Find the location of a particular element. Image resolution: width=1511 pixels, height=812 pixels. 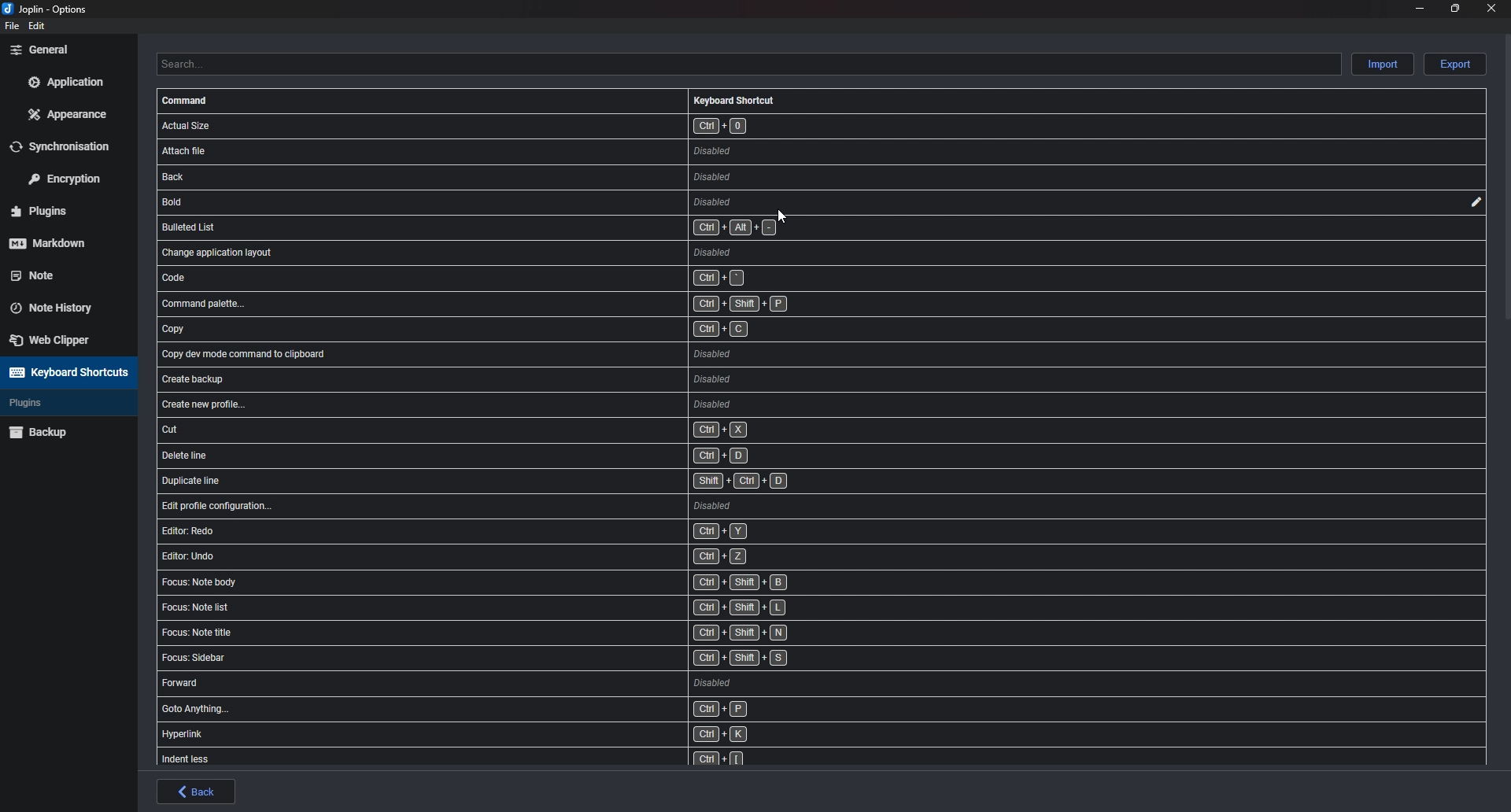

shortcut is located at coordinates (521, 711).